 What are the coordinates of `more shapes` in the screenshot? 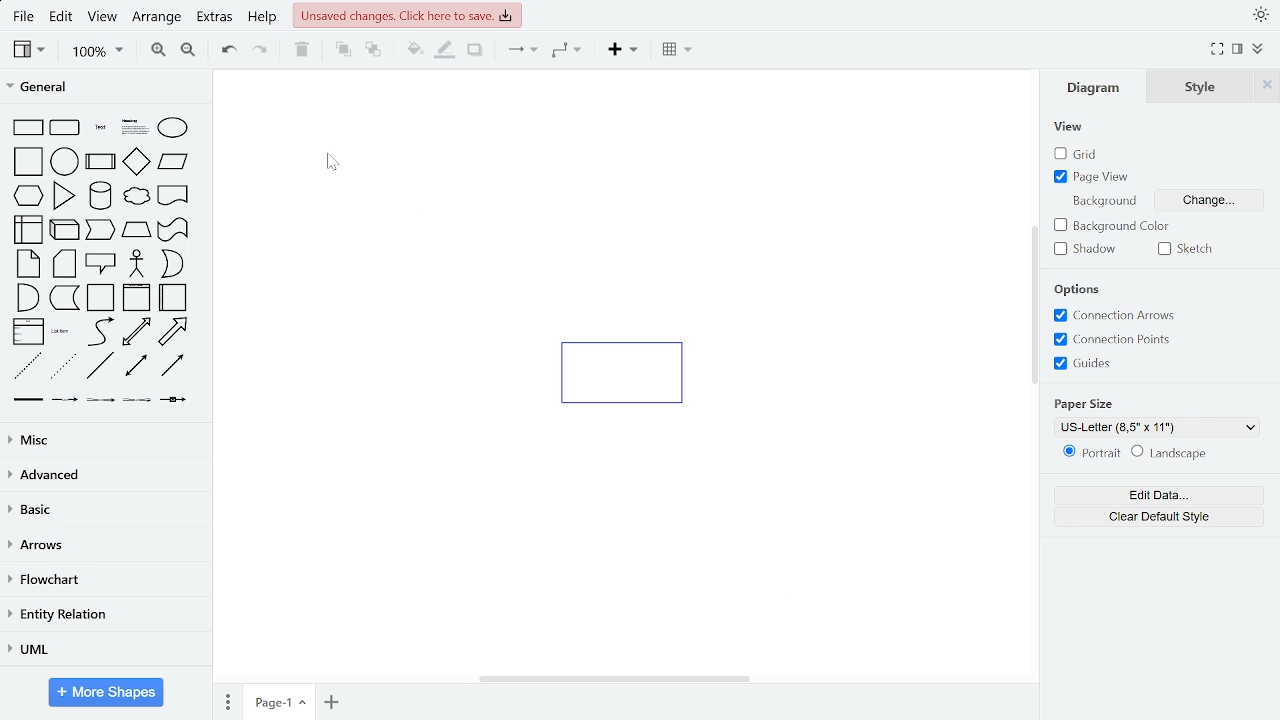 It's located at (107, 692).